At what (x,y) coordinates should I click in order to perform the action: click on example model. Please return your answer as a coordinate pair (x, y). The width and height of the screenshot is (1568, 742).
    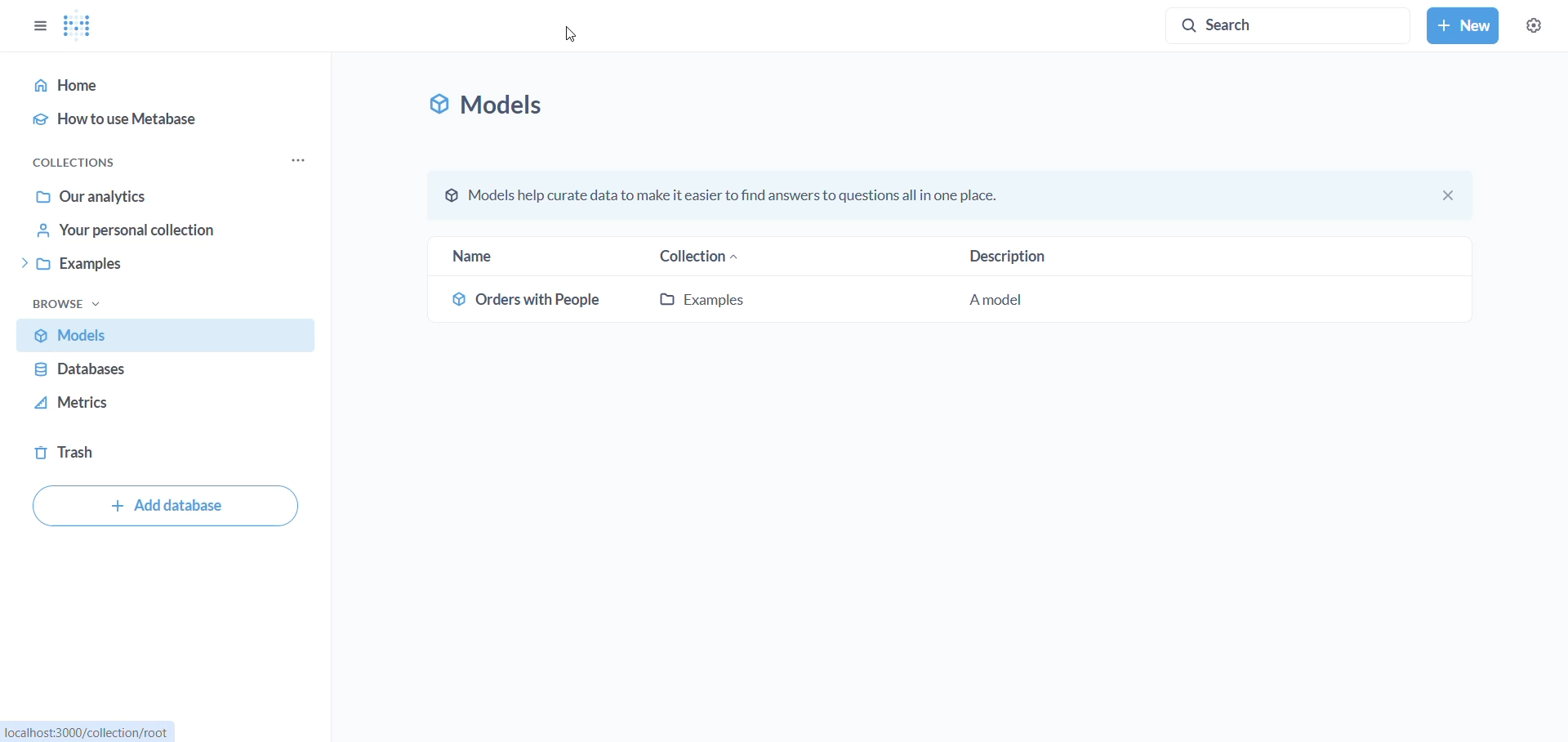
    Looking at the image, I should click on (781, 299).